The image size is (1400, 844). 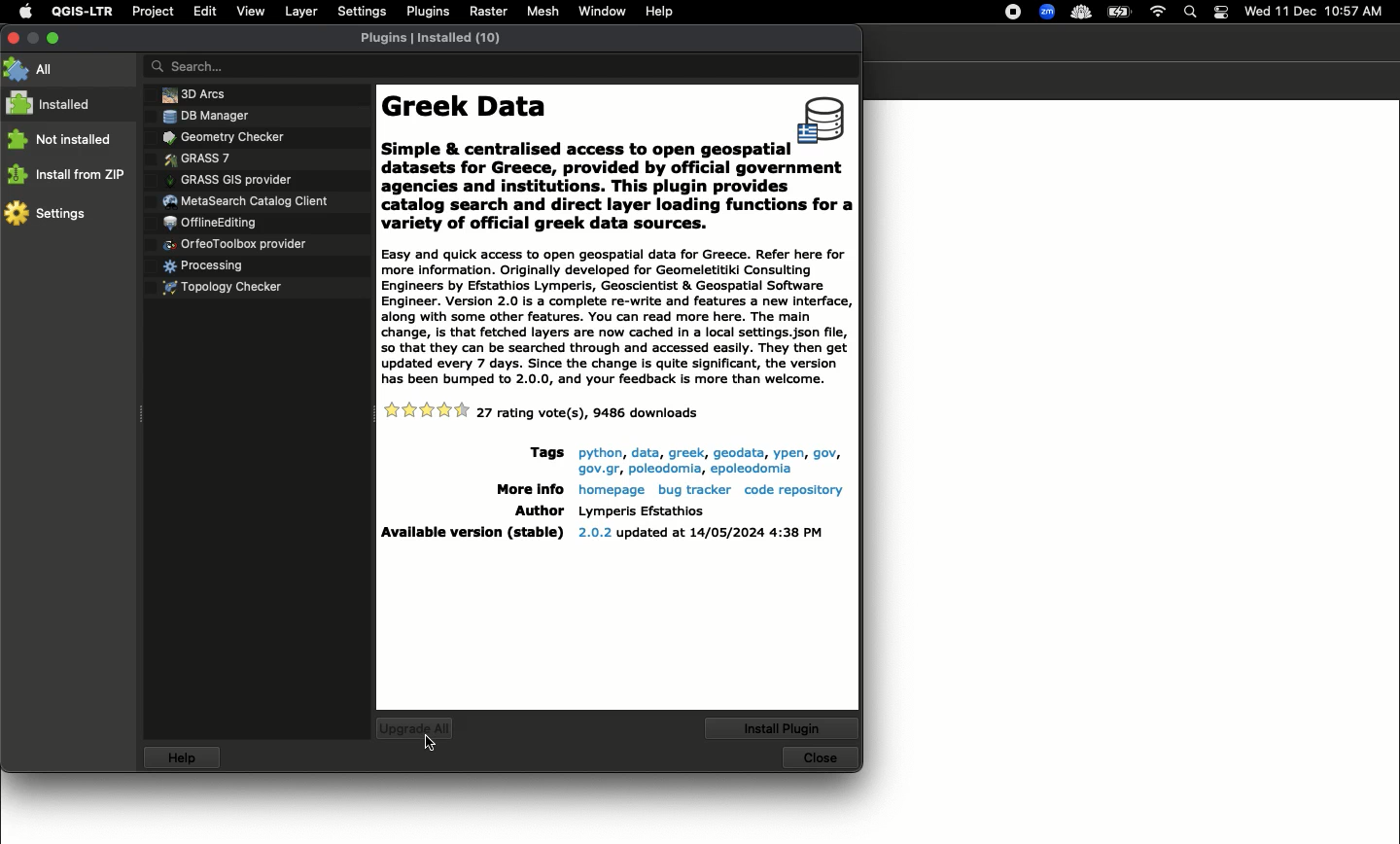 What do you see at coordinates (609, 491) in the screenshot?
I see `homepage` at bounding box center [609, 491].